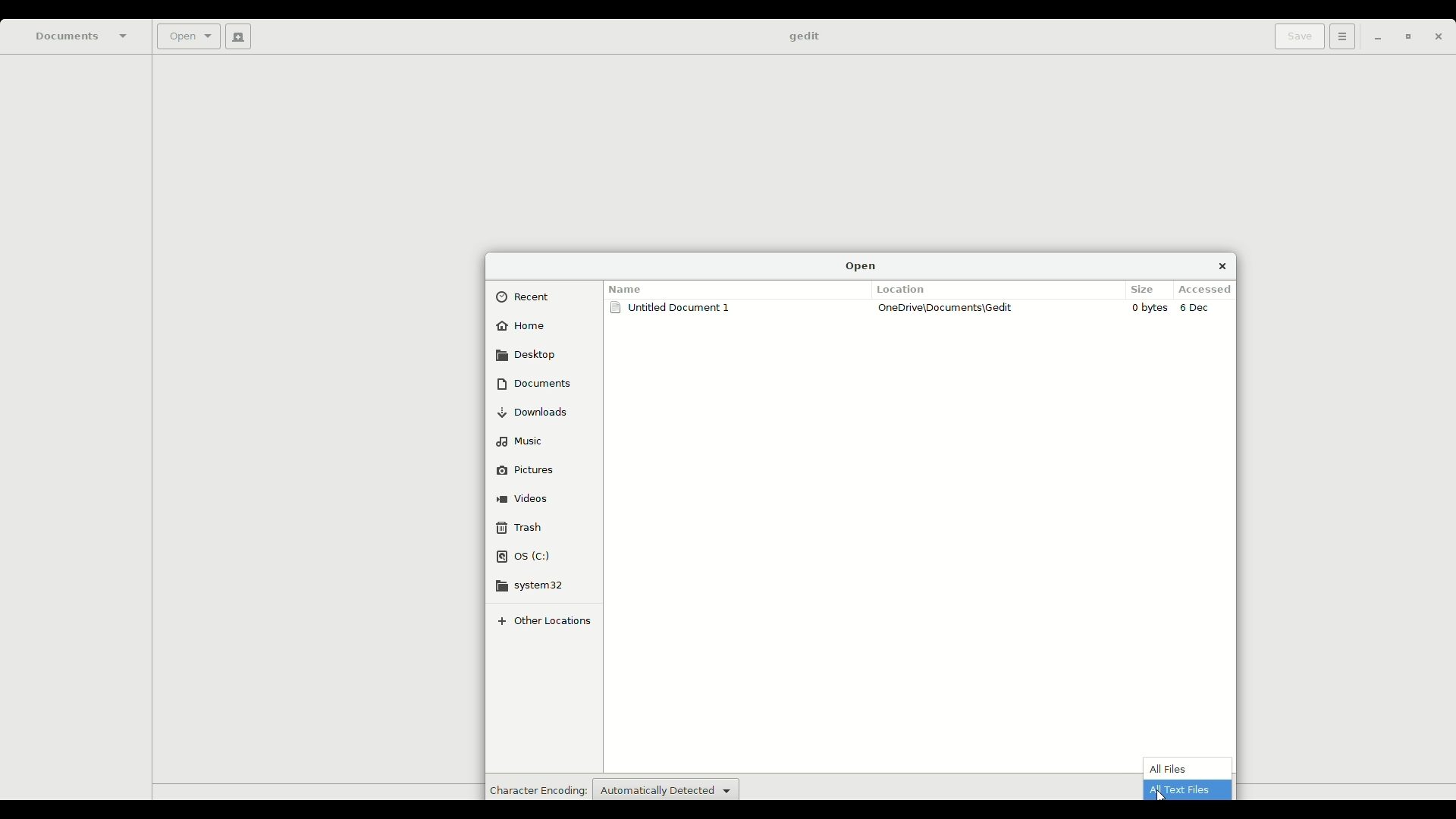  I want to click on Close, so click(1438, 39).